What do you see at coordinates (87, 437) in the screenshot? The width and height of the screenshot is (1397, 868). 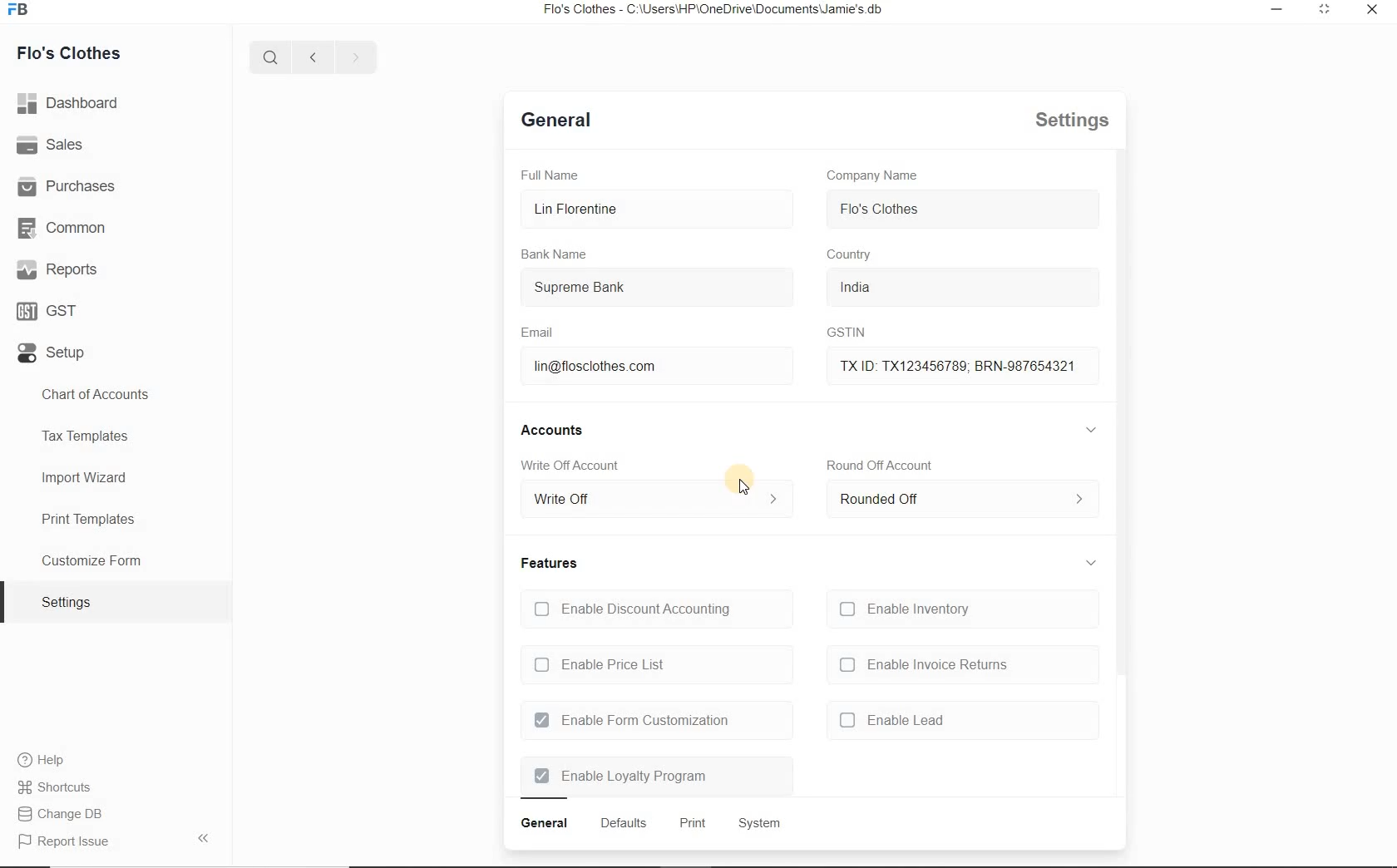 I see `Tax Templates` at bounding box center [87, 437].